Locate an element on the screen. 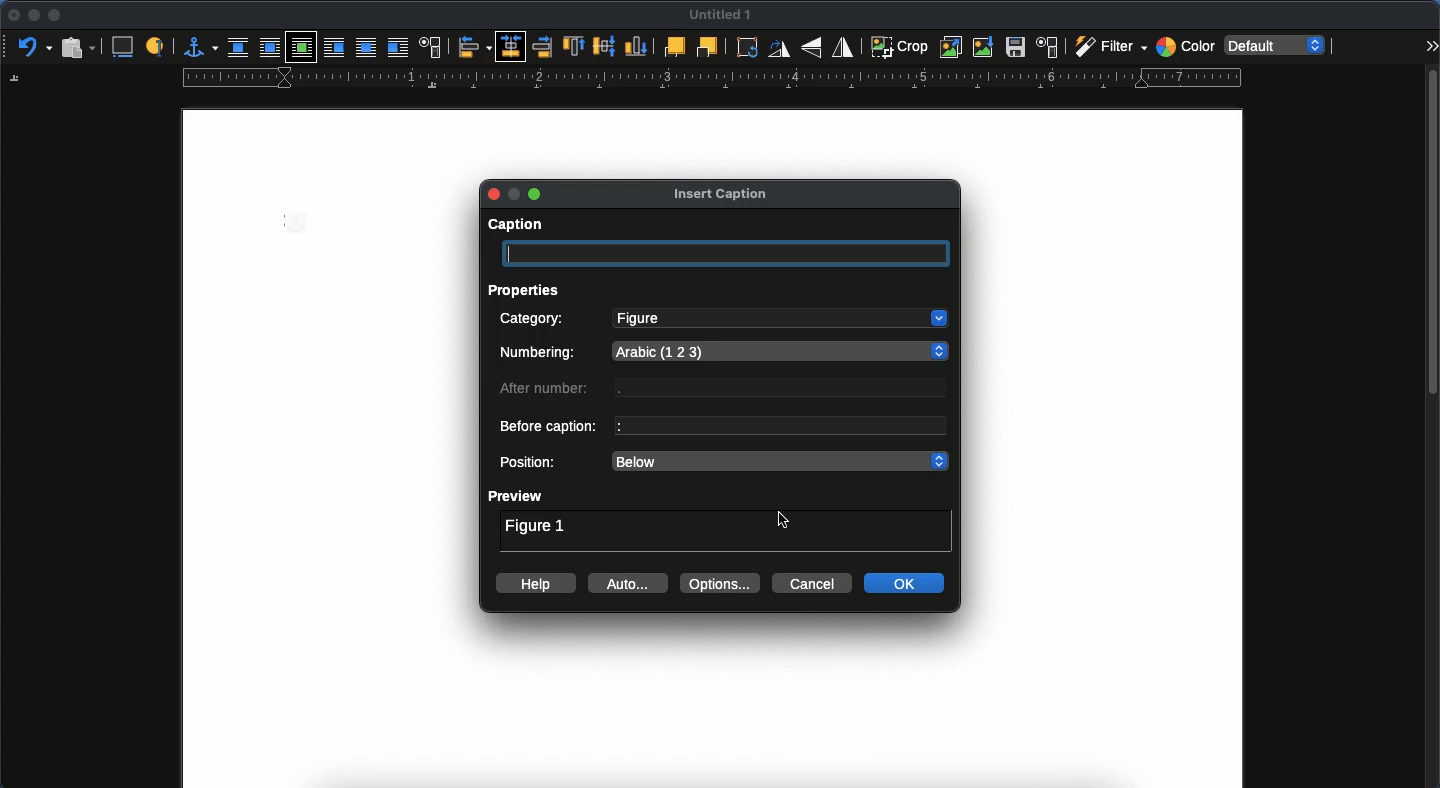 The height and width of the screenshot is (788, 1440). flip horizontally  is located at coordinates (842, 47).